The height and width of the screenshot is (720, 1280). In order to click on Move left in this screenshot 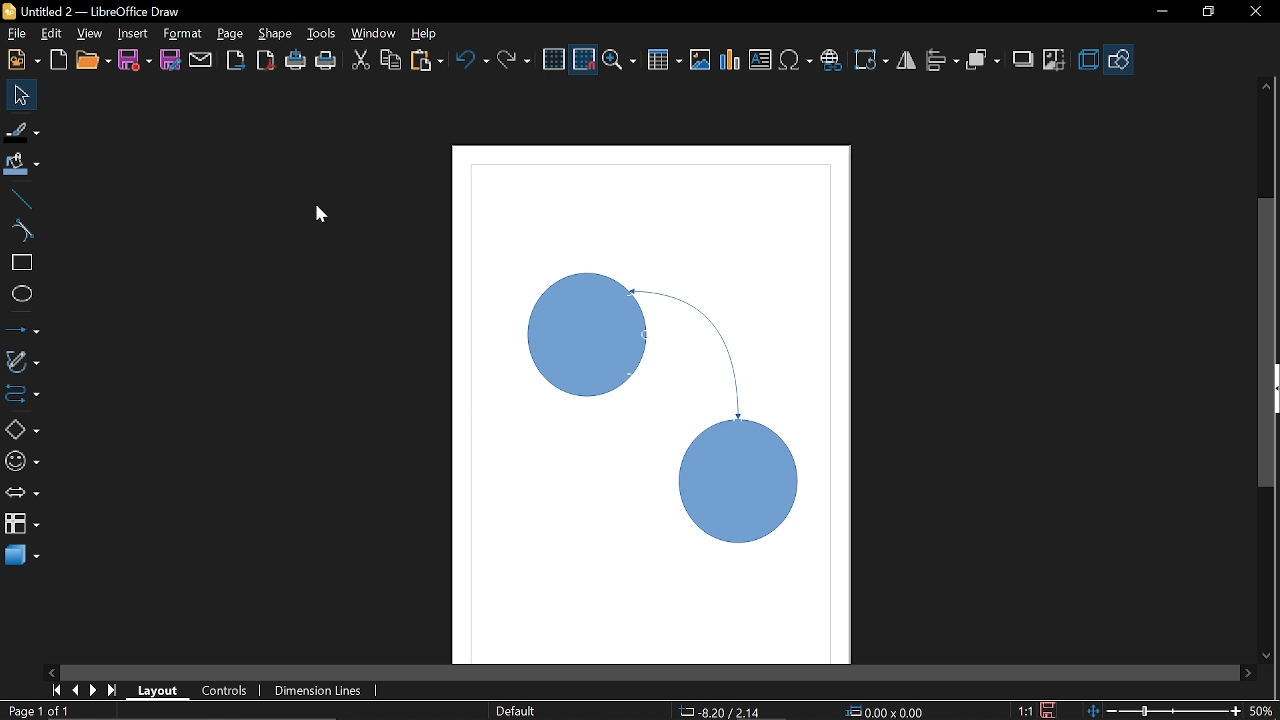, I will do `click(51, 672)`.